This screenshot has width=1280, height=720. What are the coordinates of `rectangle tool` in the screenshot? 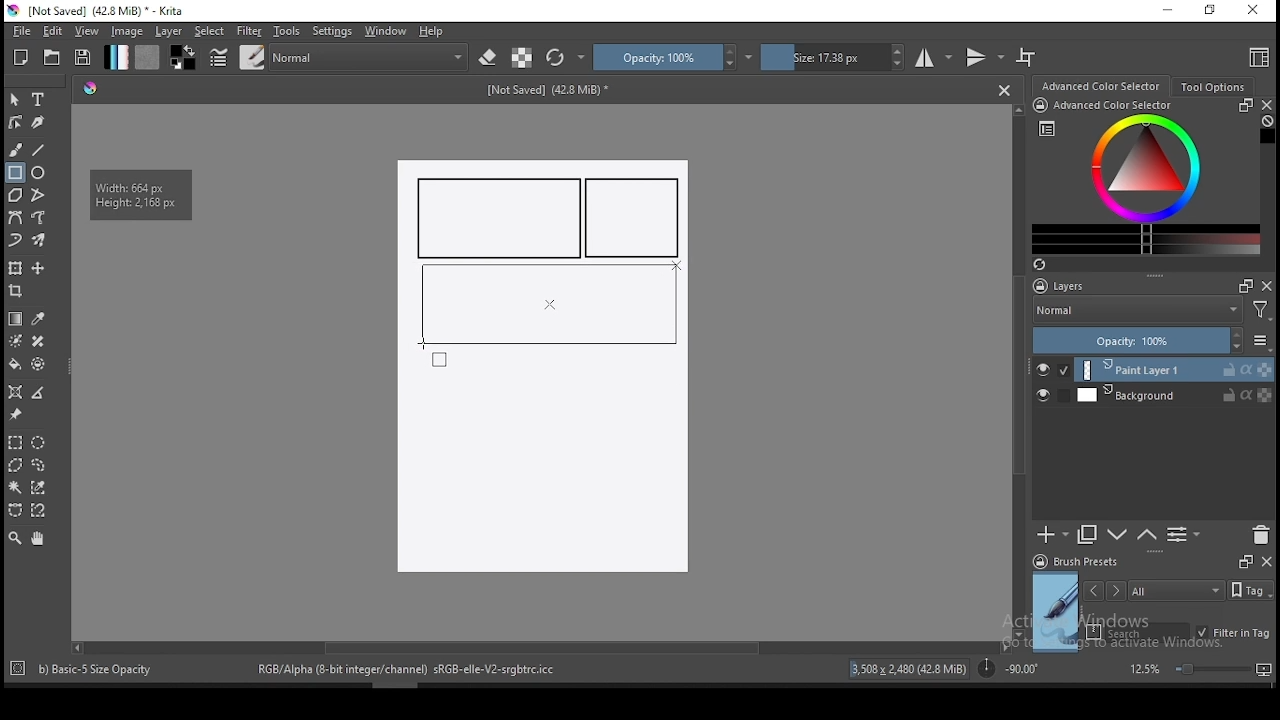 It's located at (15, 173).